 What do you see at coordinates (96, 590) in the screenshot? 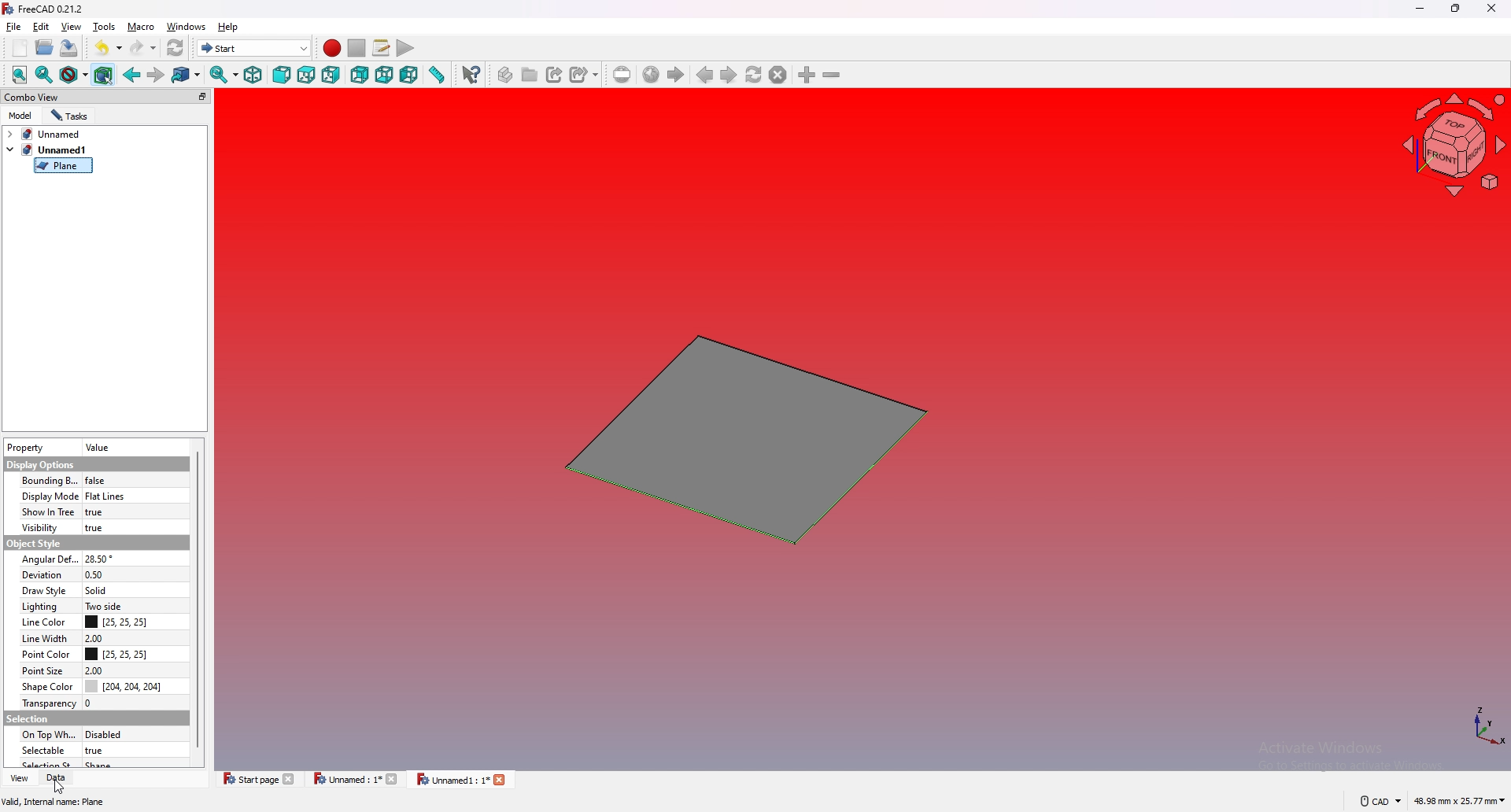
I see `solid` at bounding box center [96, 590].